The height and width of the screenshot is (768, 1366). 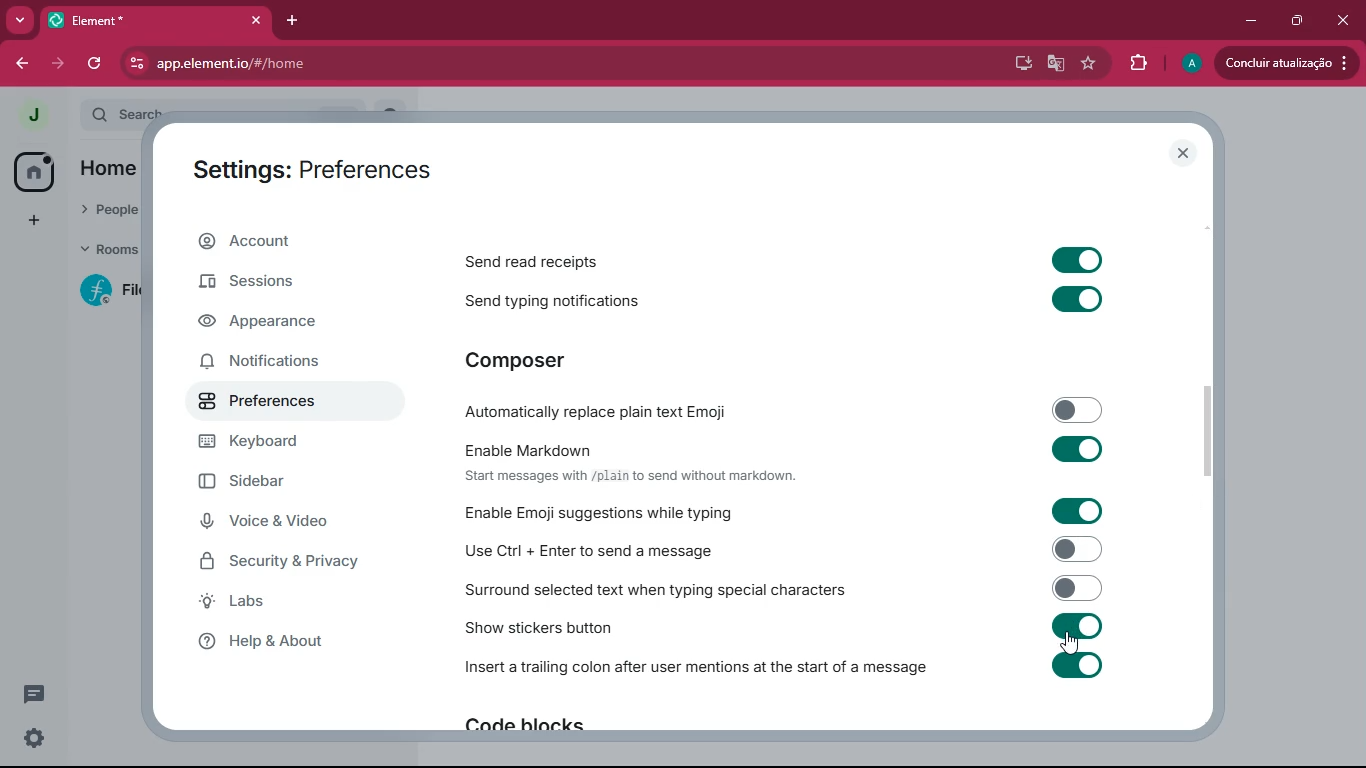 I want to click on more, so click(x=20, y=21).